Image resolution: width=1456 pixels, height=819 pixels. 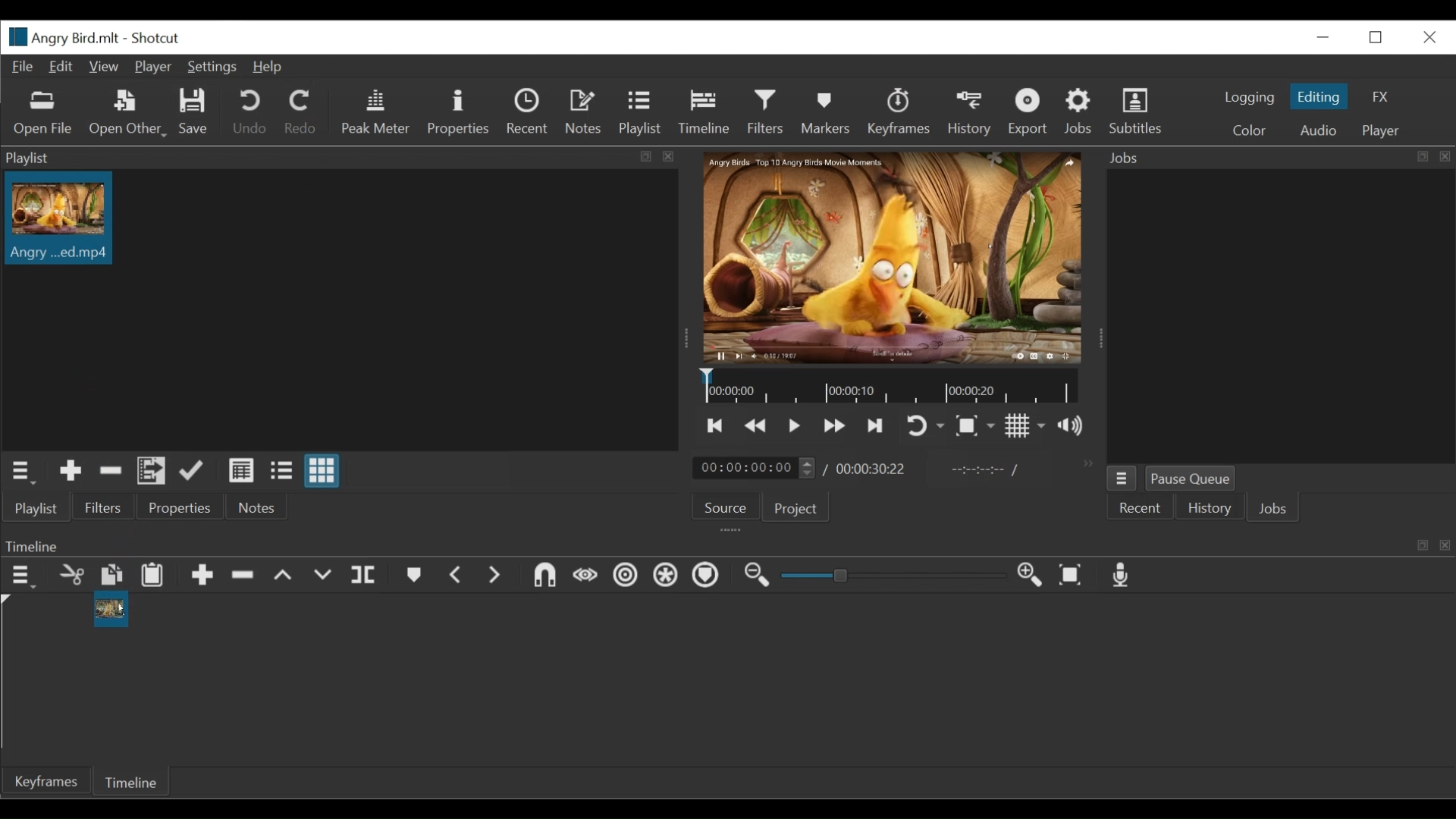 What do you see at coordinates (324, 578) in the screenshot?
I see `Overwrite` at bounding box center [324, 578].